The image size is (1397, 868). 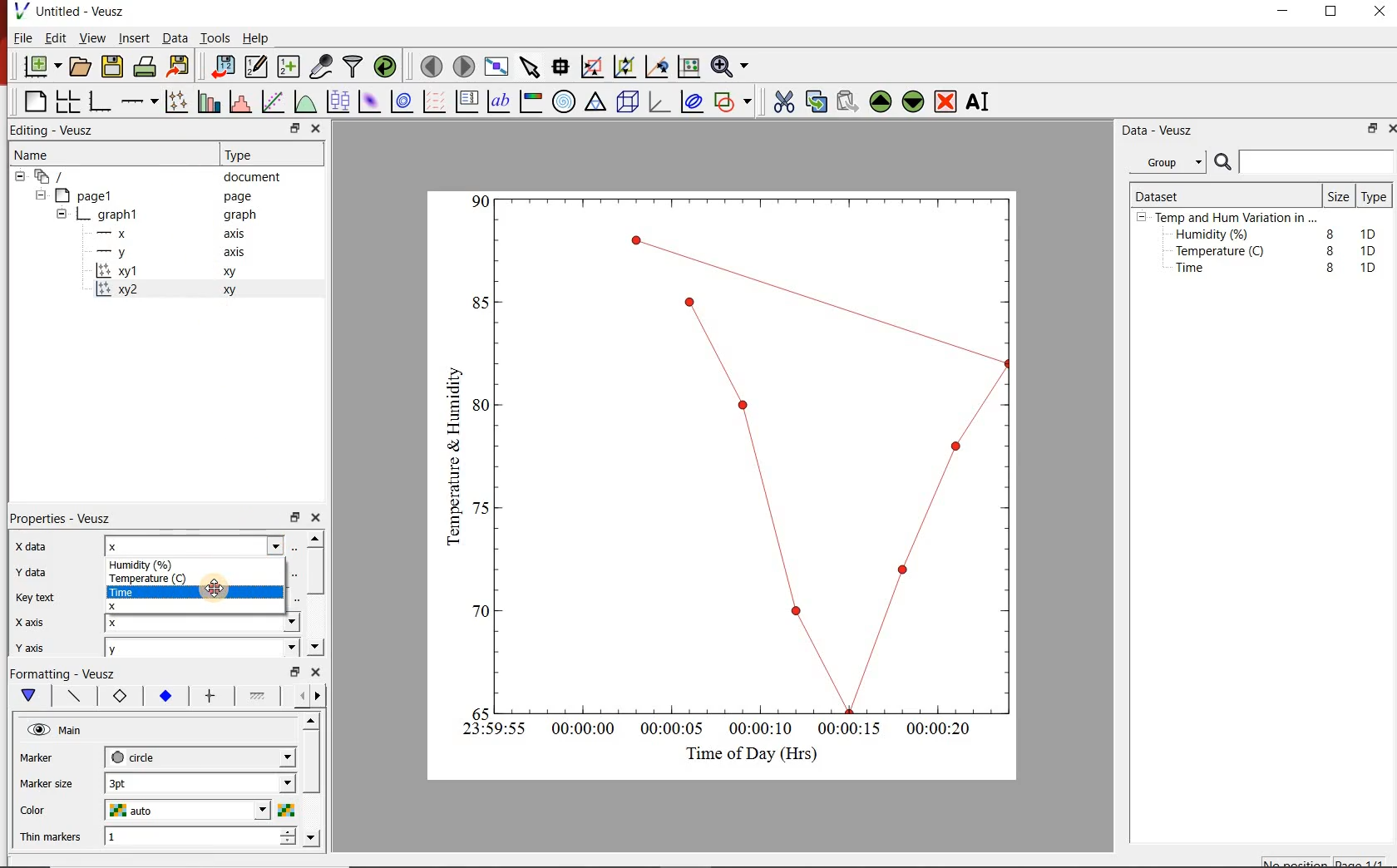 What do you see at coordinates (47, 156) in the screenshot?
I see `Name` at bounding box center [47, 156].